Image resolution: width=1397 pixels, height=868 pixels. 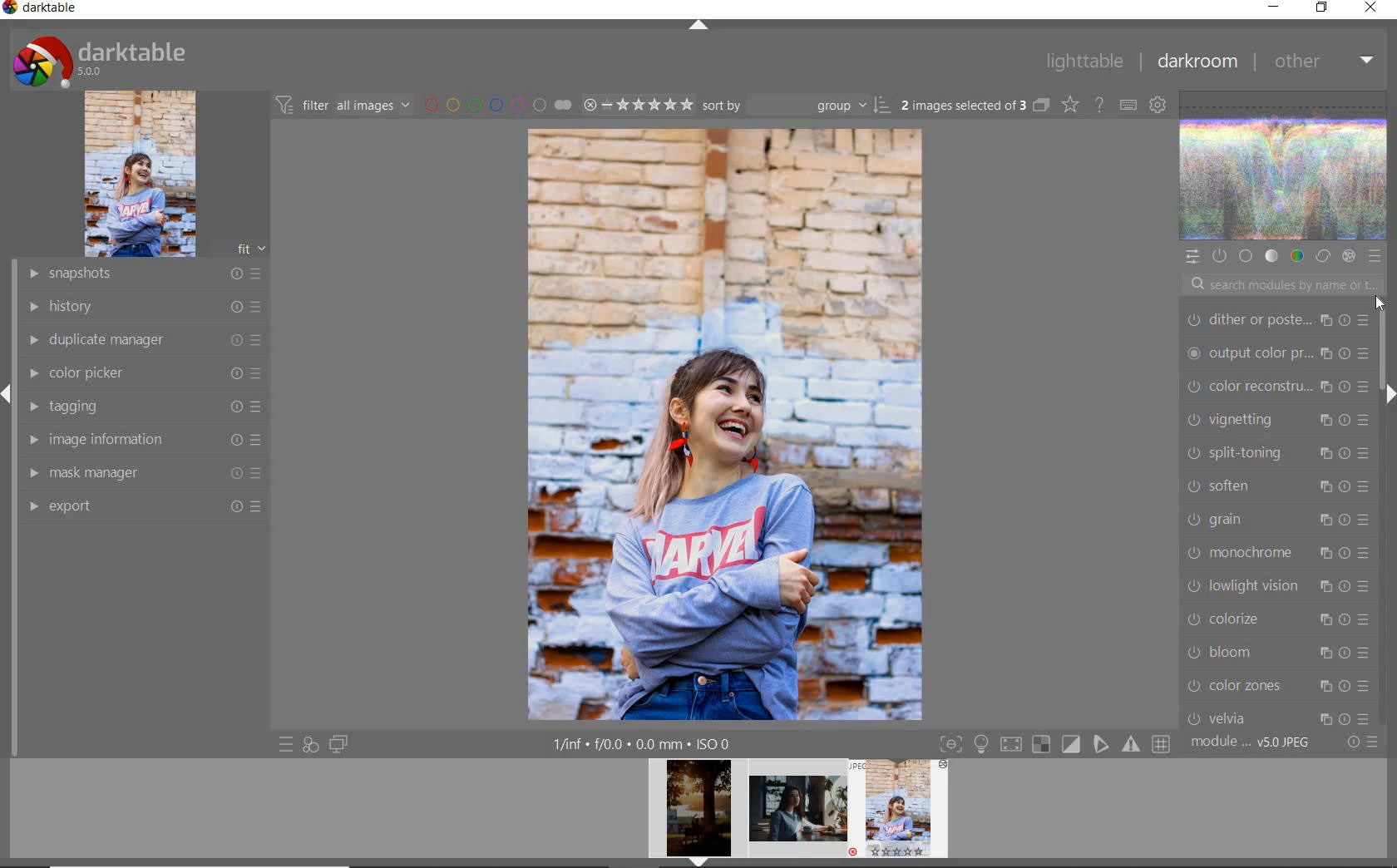 What do you see at coordinates (1285, 167) in the screenshot?
I see `wave form` at bounding box center [1285, 167].